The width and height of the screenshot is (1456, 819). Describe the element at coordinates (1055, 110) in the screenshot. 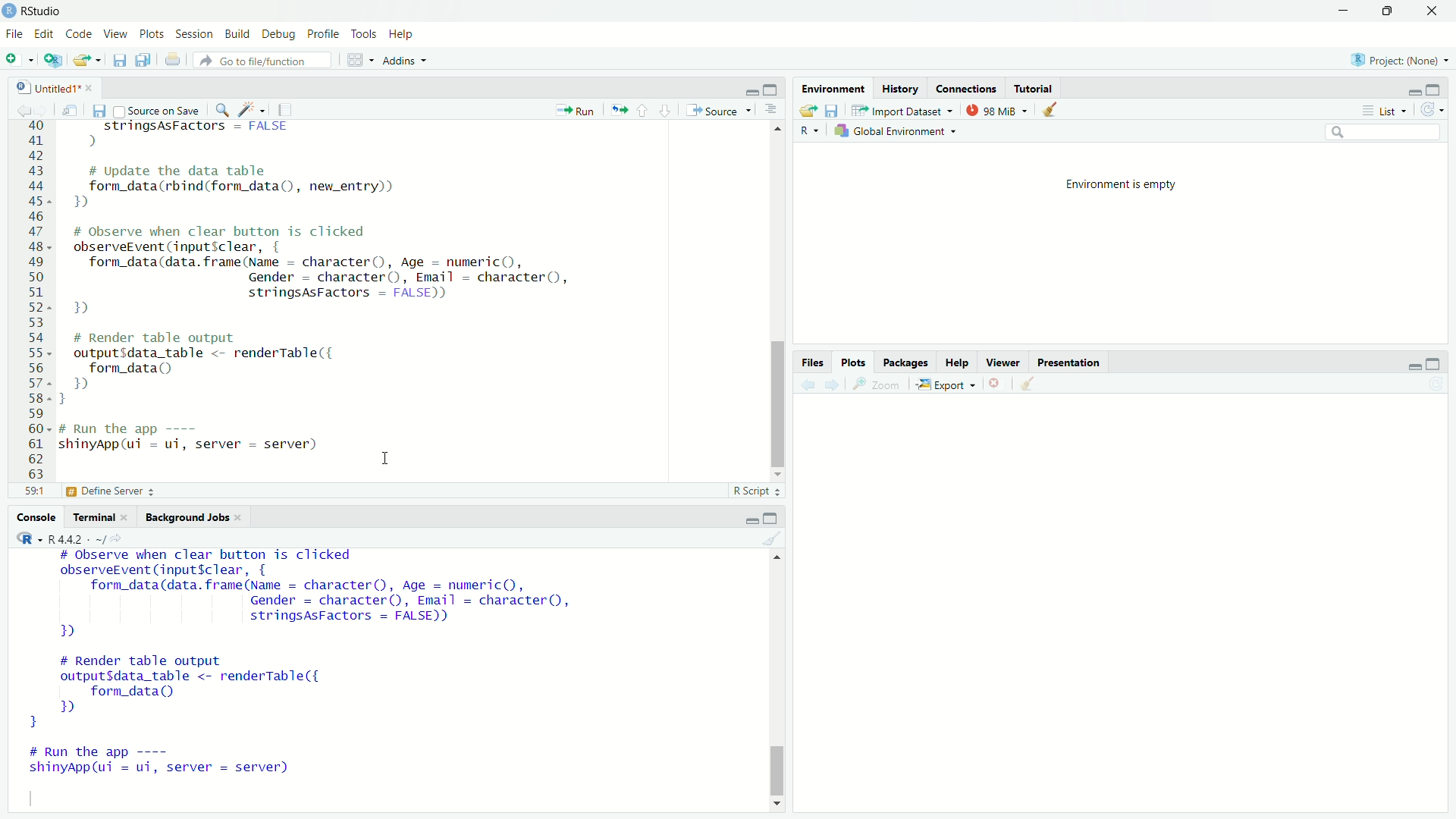

I see `clear objects from the workspace` at that location.